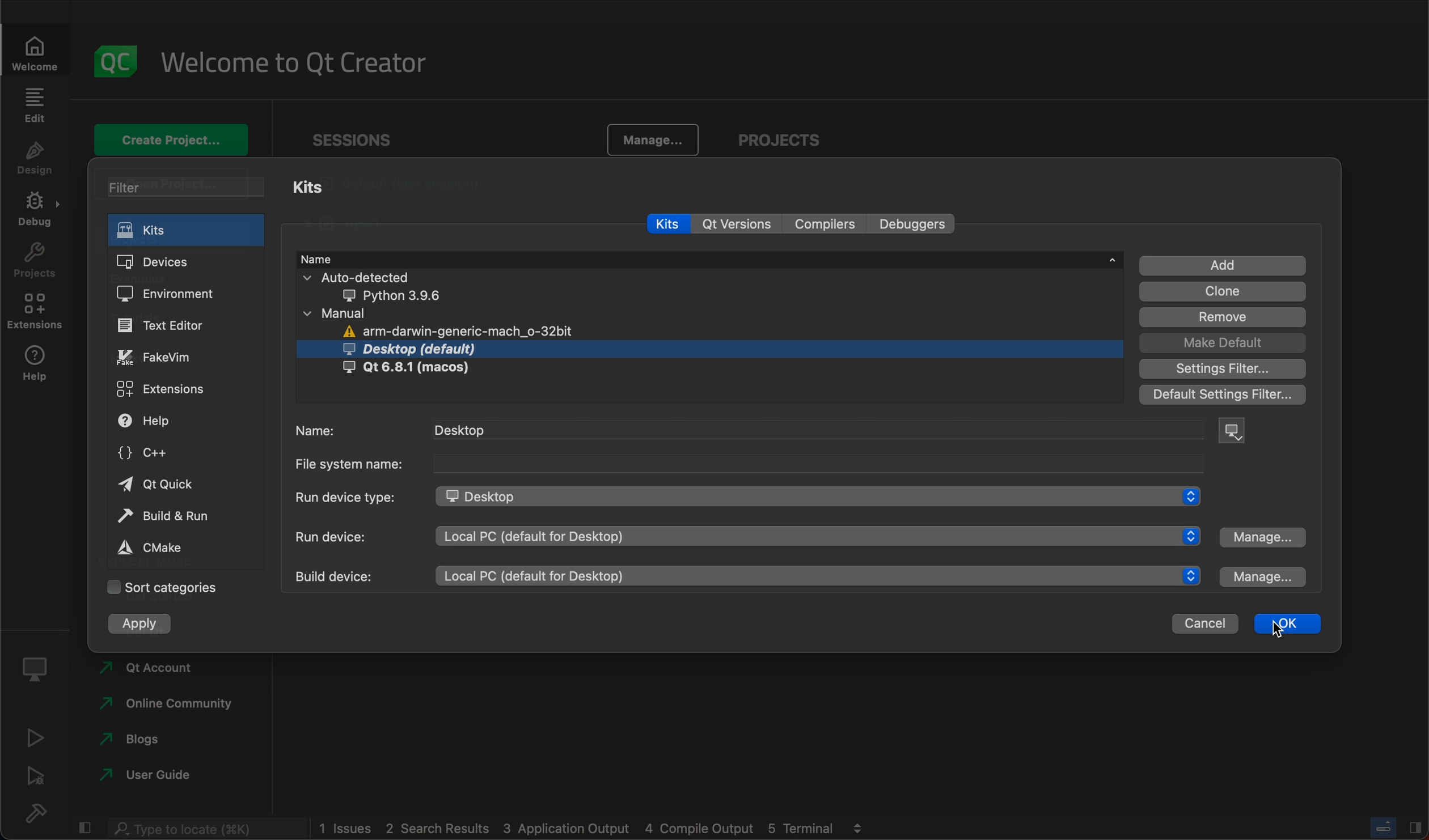 This screenshot has width=1429, height=840. What do you see at coordinates (290, 60) in the screenshot?
I see `welcome to qt creator` at bounding box center [290, 60].